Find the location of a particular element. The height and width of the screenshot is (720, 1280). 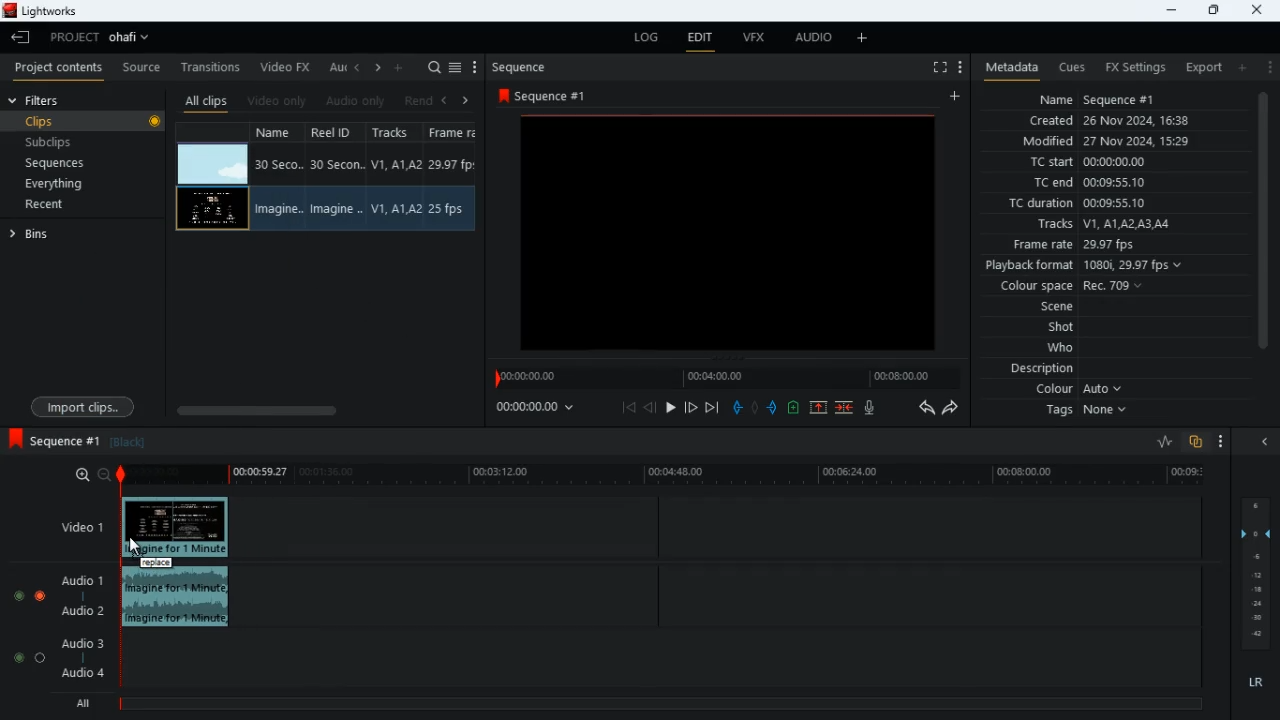

mic is located at coordinates (871, 407).